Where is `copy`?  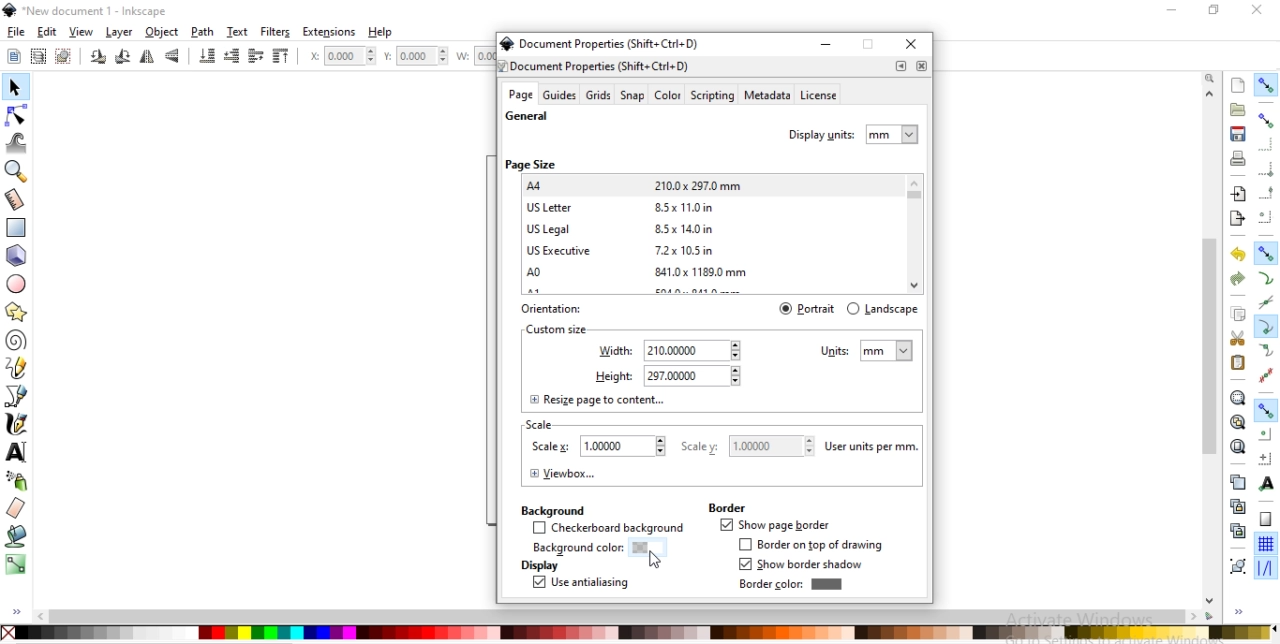 copy is located at coordinates (1238, 315).